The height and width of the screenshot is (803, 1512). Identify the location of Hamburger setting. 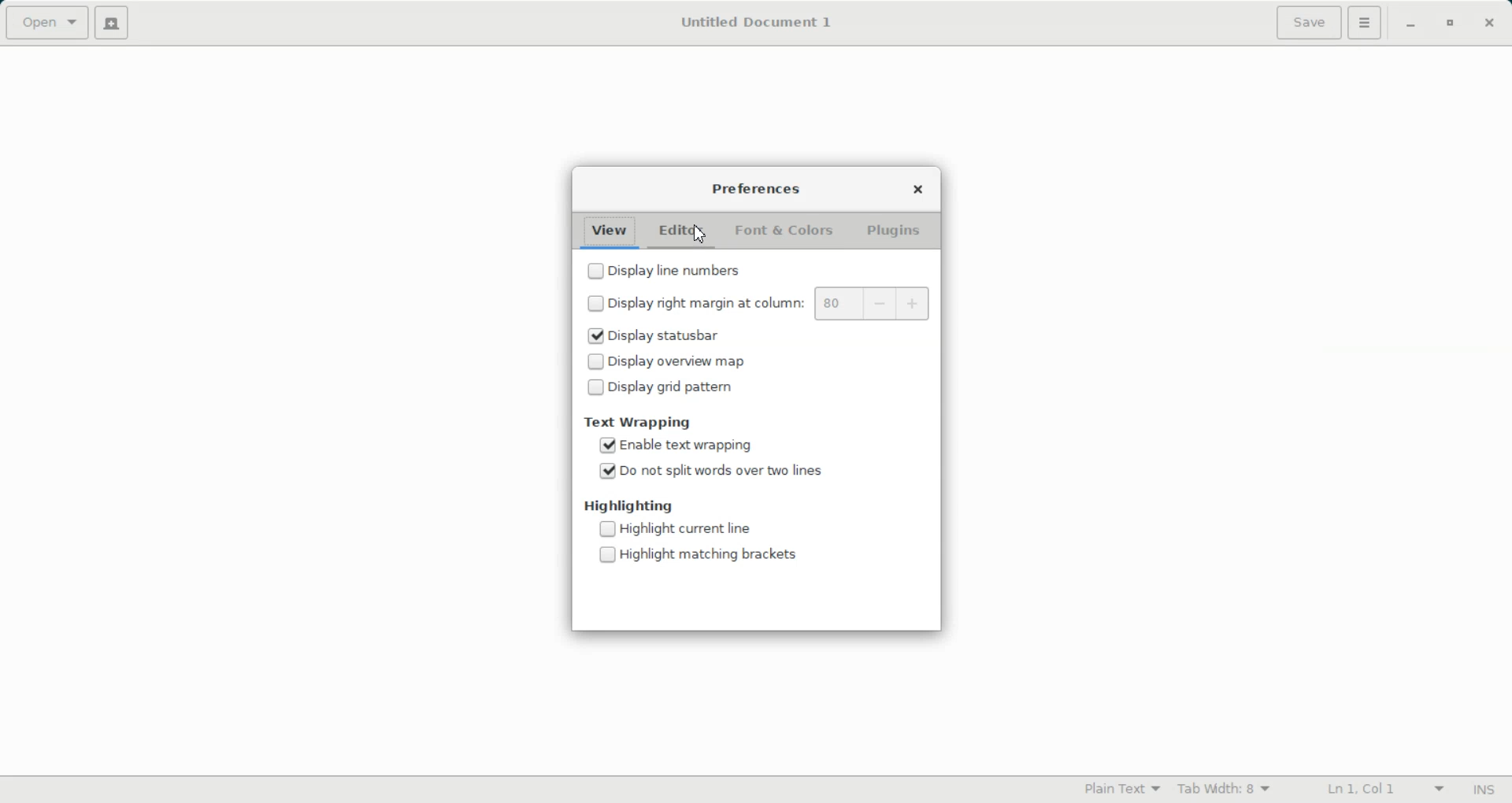
(1365, 23).